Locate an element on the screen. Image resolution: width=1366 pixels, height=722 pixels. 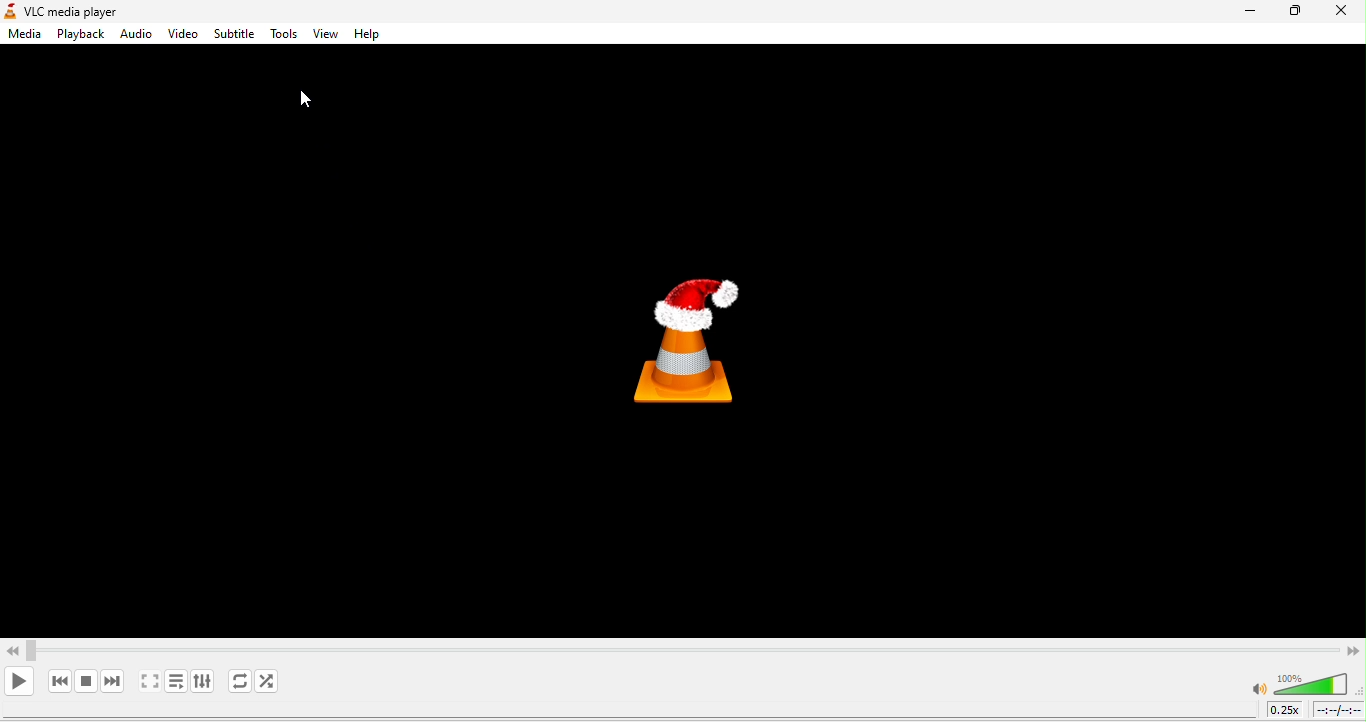
volume is located at coordinates (1301, 683).